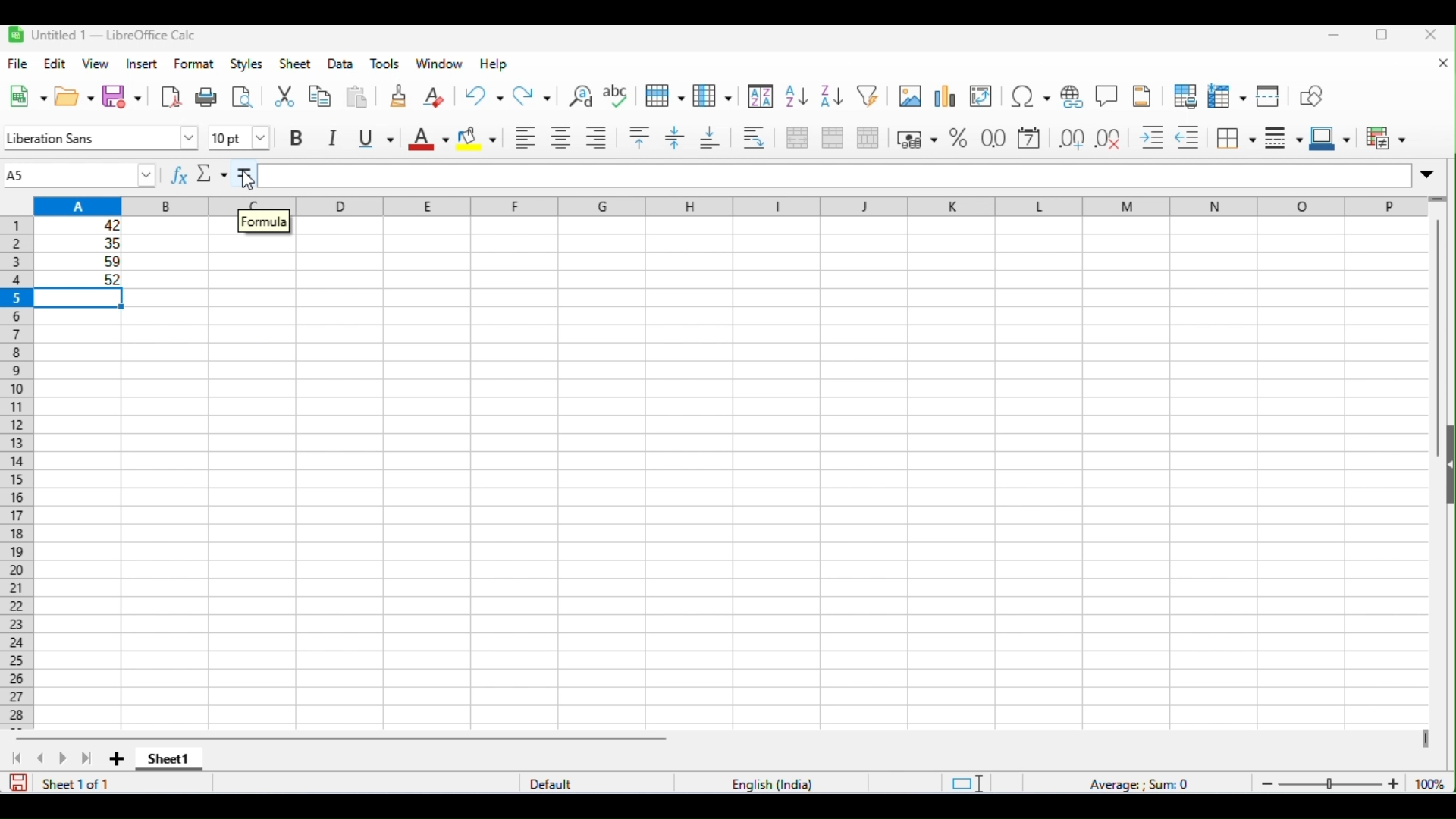  Describe the element at coordinates (957, 138) in the screenshot. I see `format as percent` at that location.